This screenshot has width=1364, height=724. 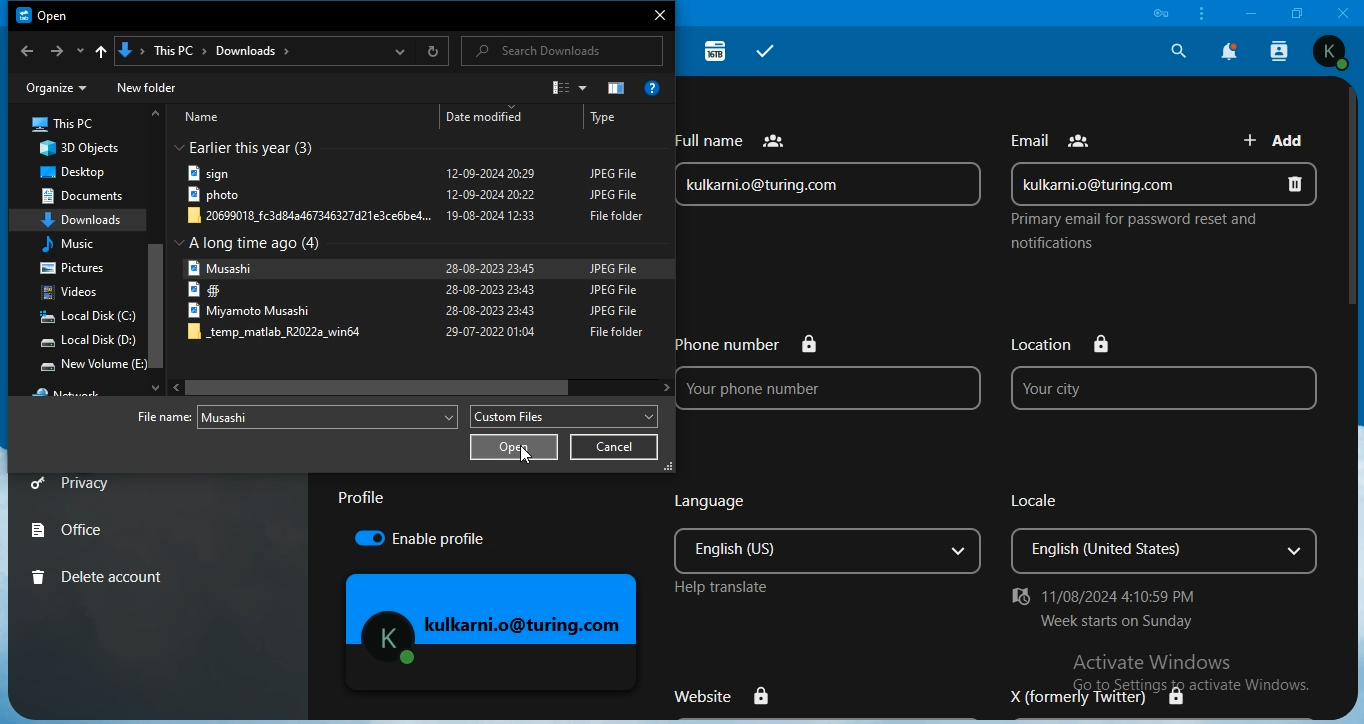 What do you see at coordinates (84, 220) in the screenshot?
I see `downloads` at bounding box center [84, 220].